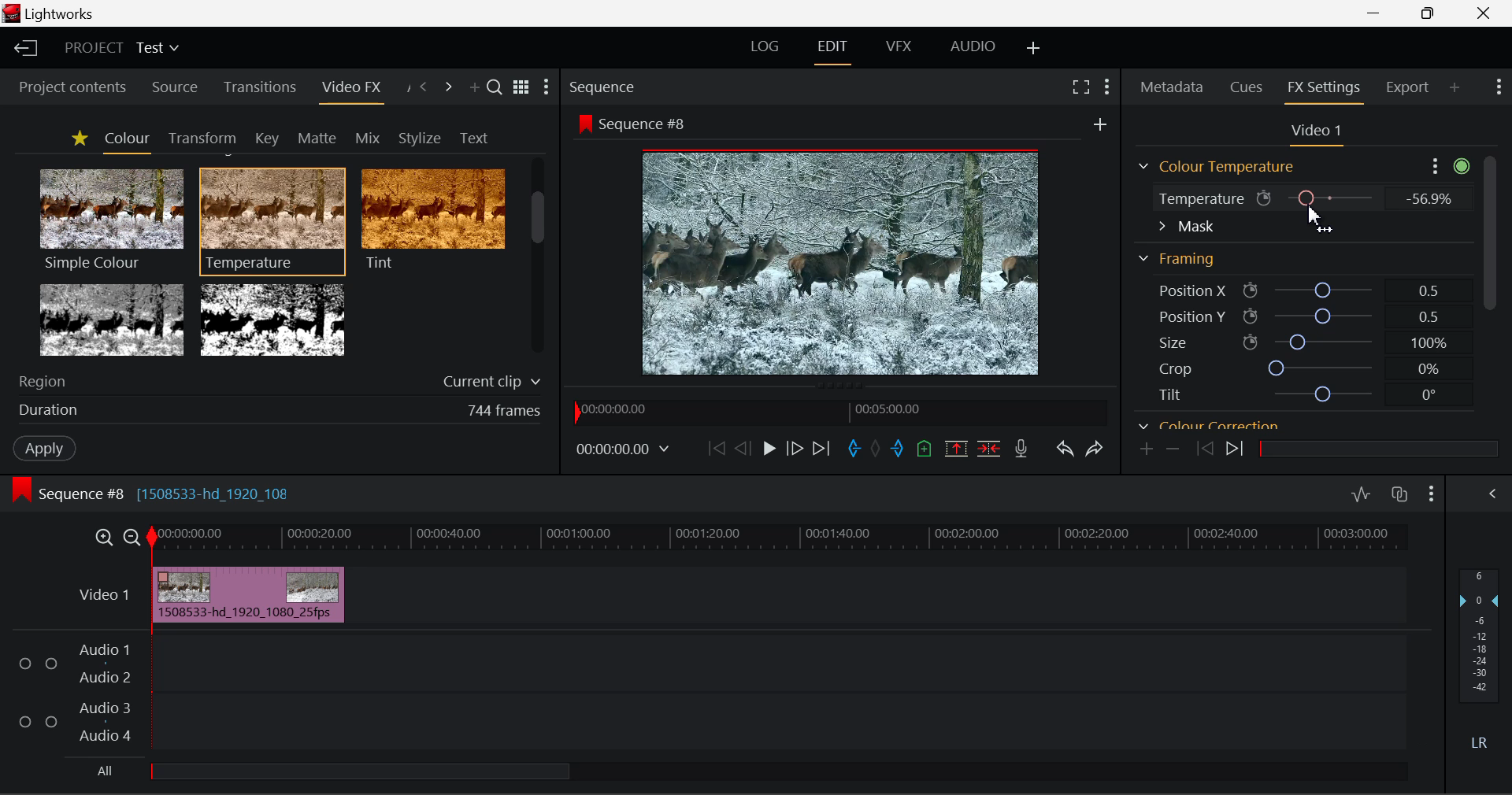  I want to click on Project Title, so click(121, 46).